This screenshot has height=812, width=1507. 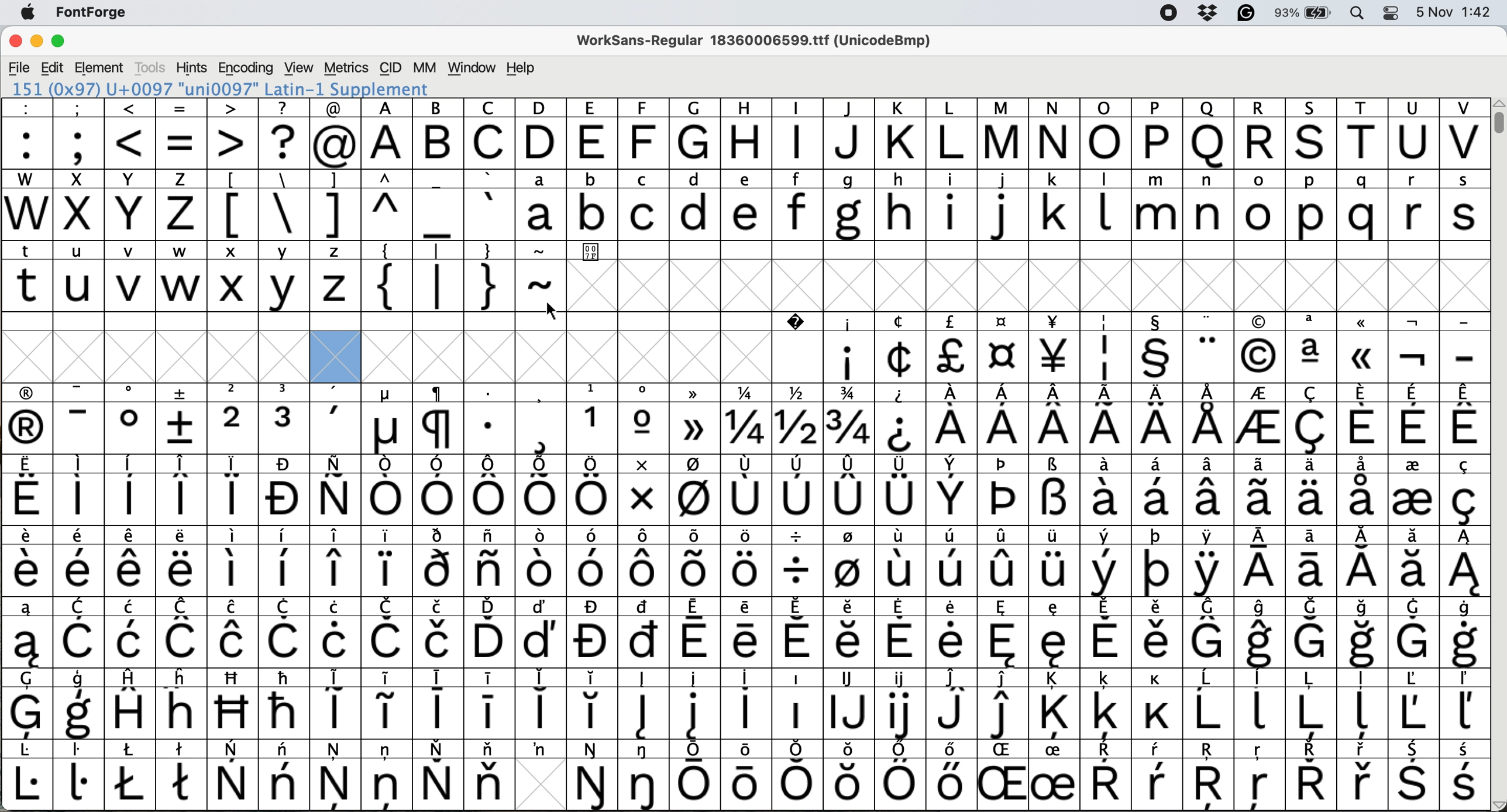 What do you see at coordinates (1412, 703) in the screenshot?
I see `symbol` at bounding box center [1412, 703].